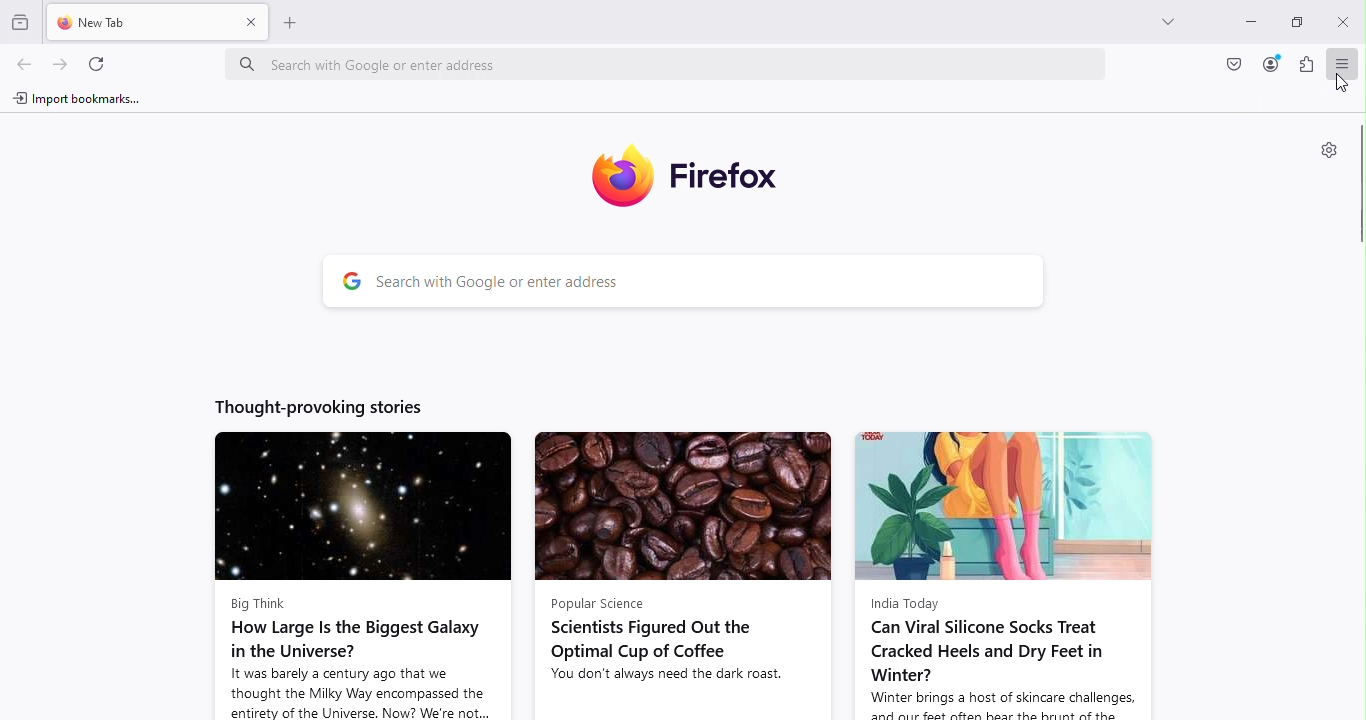 The height and width of the screenshot is (720, 1366). Describe the element at coordinates (1293, 19) in the screenshot. I see `Maximize tab` at that location.